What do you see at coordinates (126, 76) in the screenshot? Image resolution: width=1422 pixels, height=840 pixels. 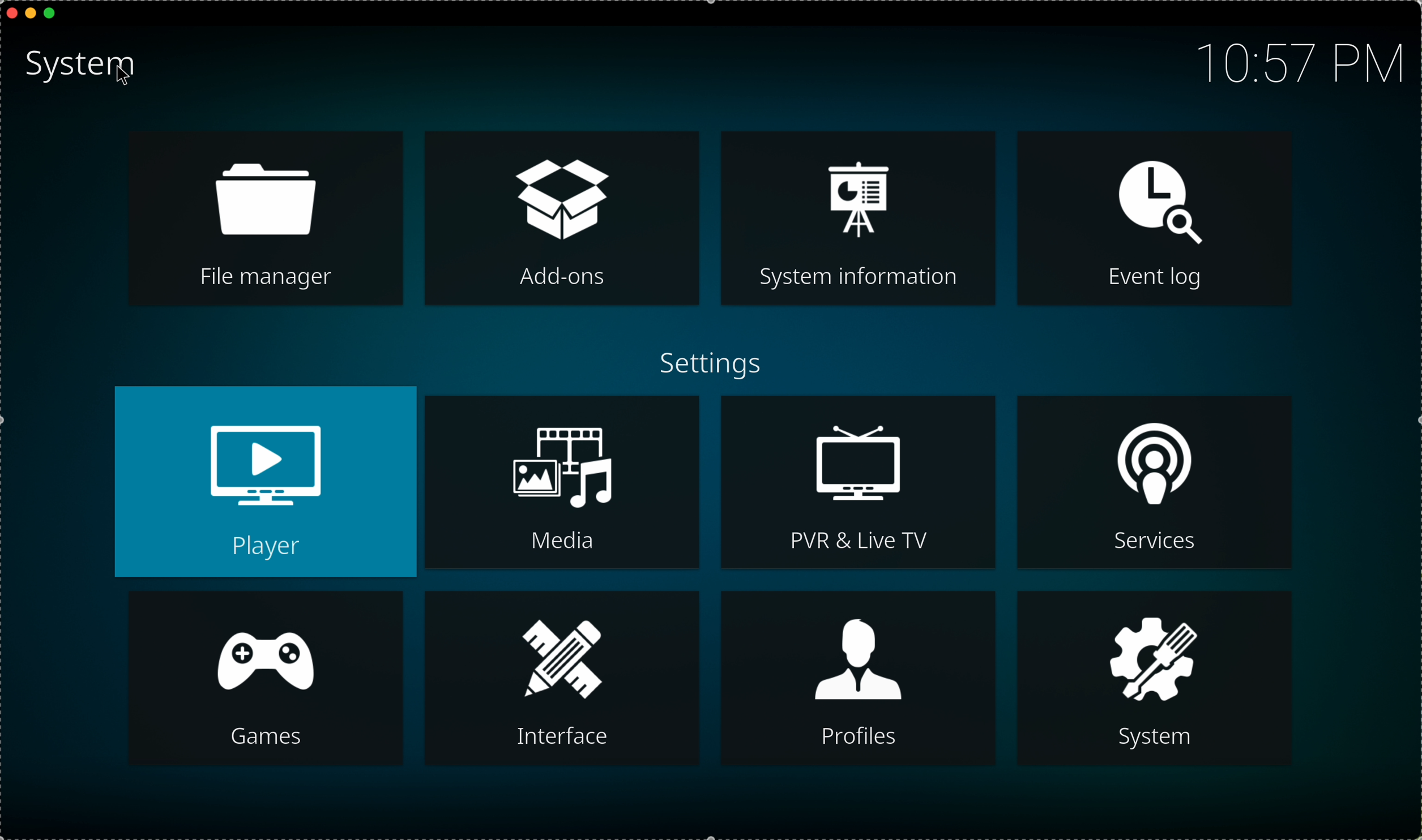 I see `Cursor` at bounding box center [126, 76].